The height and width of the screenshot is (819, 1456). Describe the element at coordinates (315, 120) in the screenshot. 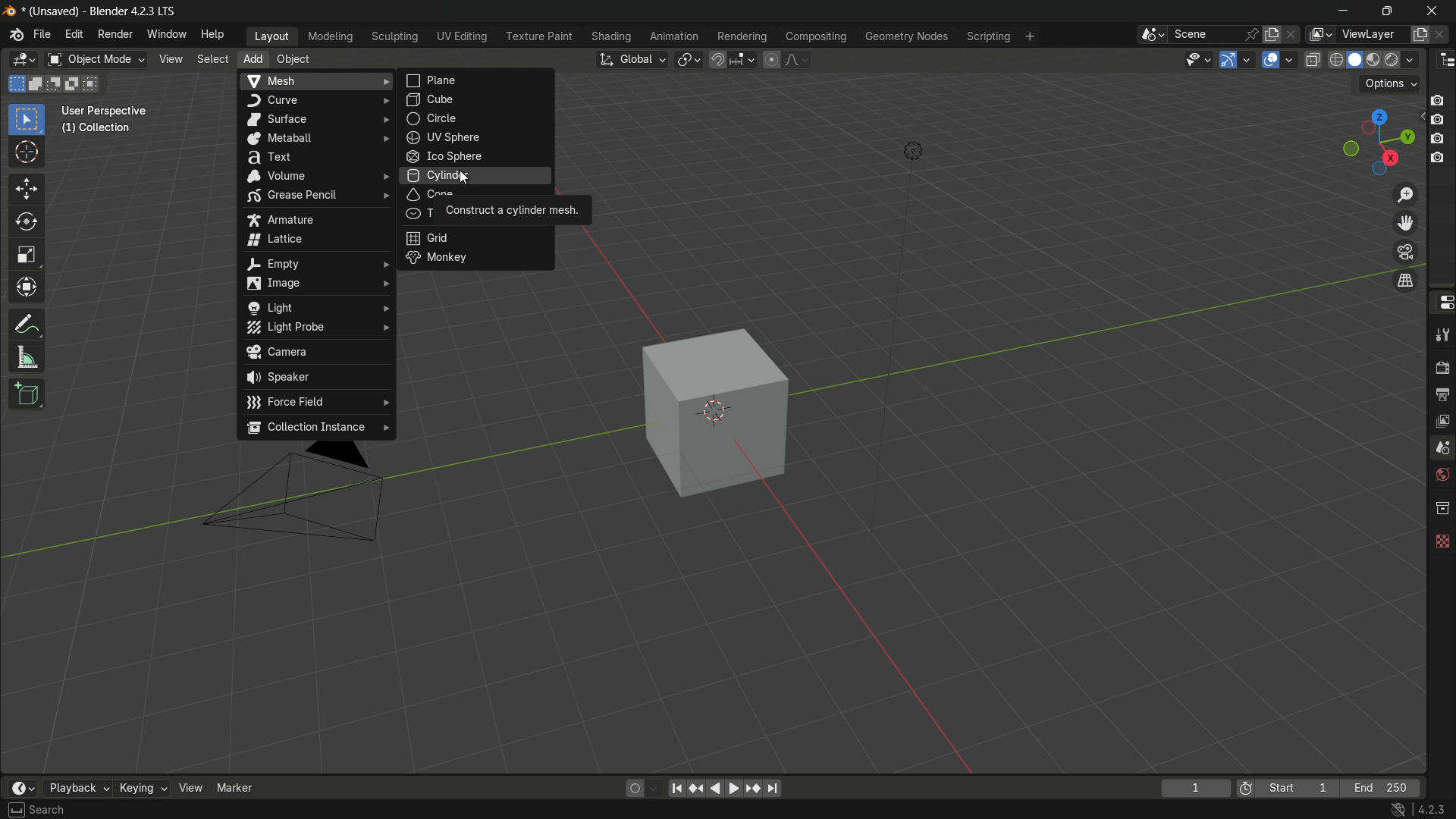

I see `surface` at that location.